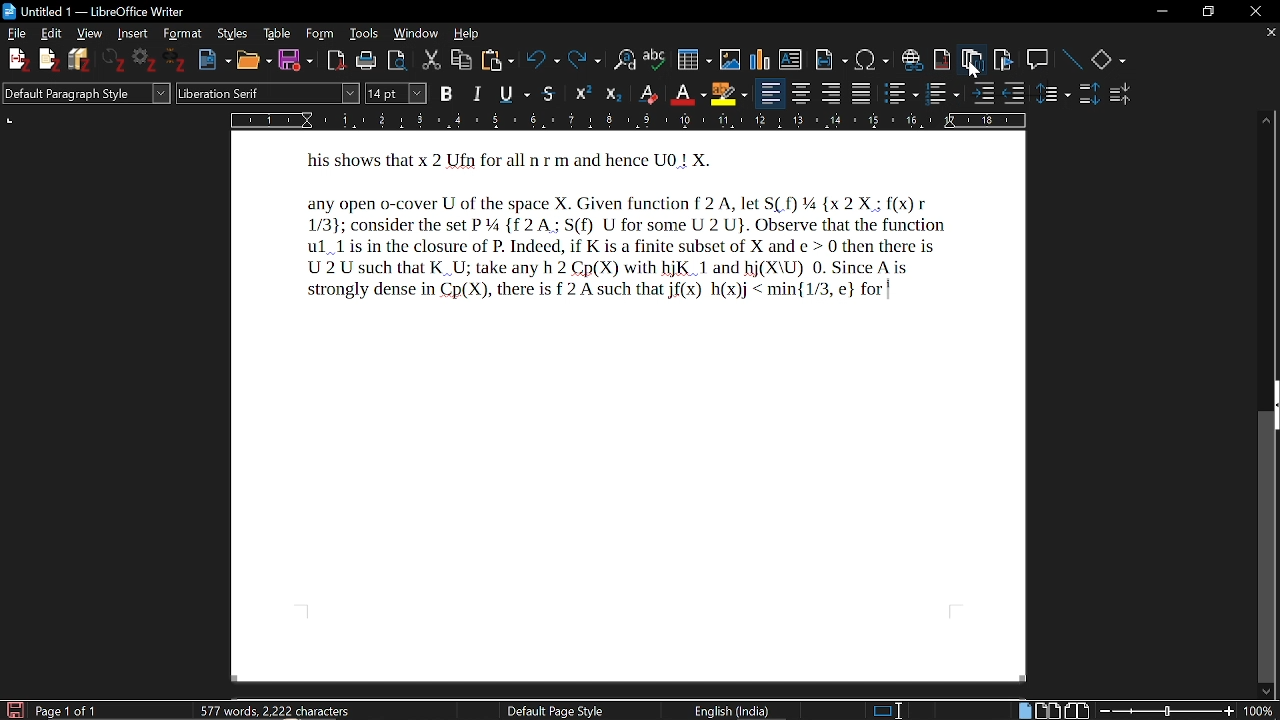 The height and width of the screenshot is (720, 1280). Describe the element at coordinates (130, 33) in the screenshot. I see `Insert` at that location.